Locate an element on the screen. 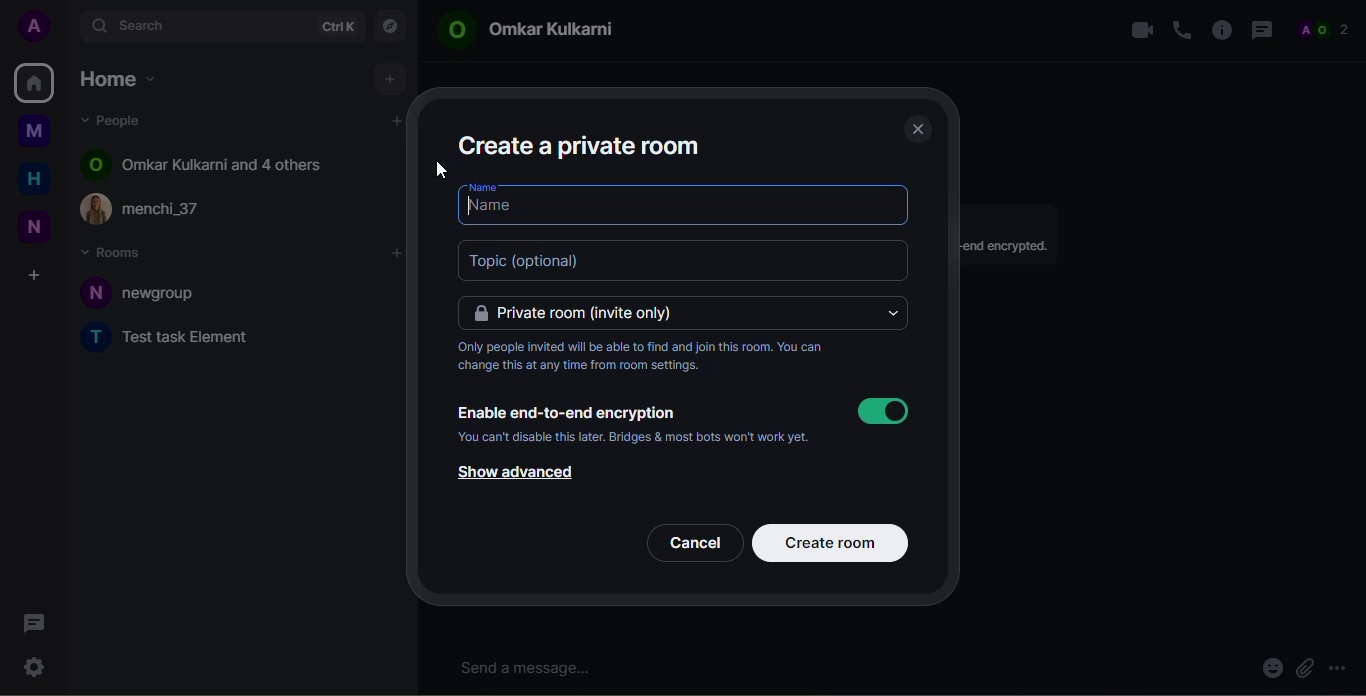 This screenshot has width=1366, height=696. show advanced is located at coordinates (511, 473).